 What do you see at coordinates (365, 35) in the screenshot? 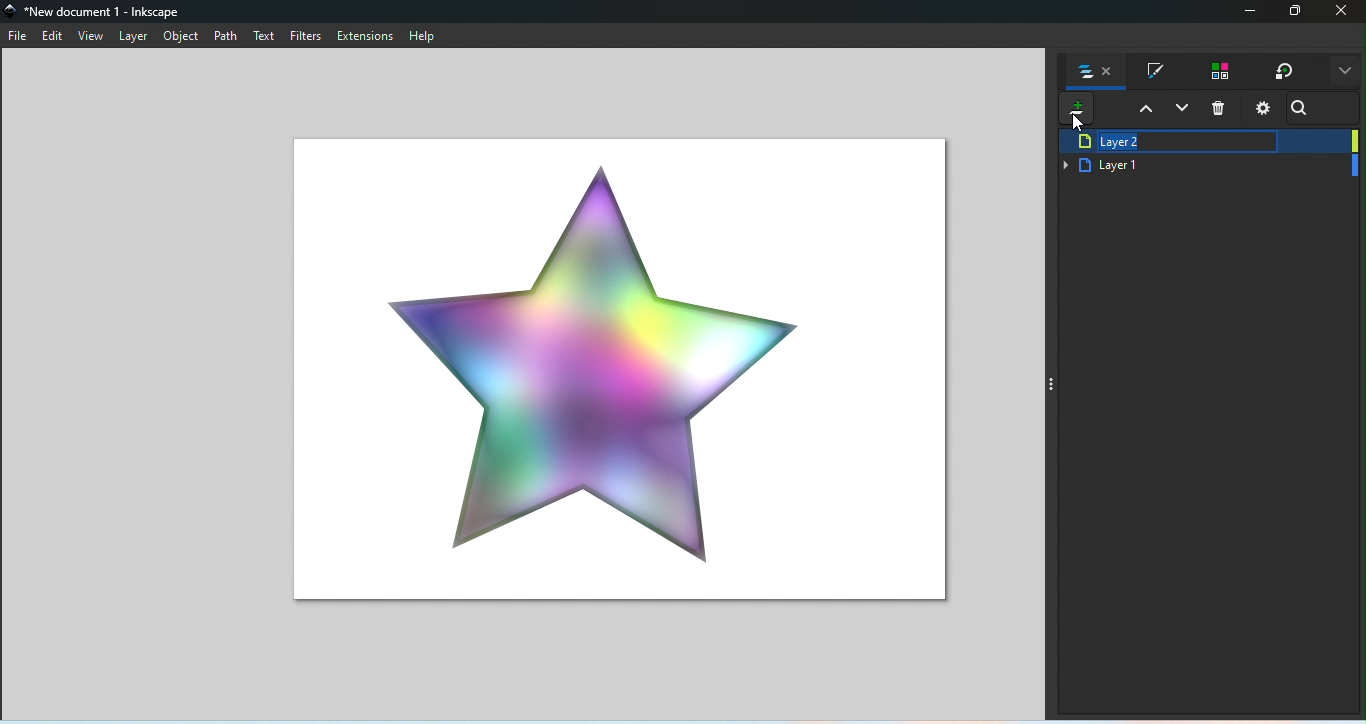
I see `Extensions` at bounding box center [365, 35].